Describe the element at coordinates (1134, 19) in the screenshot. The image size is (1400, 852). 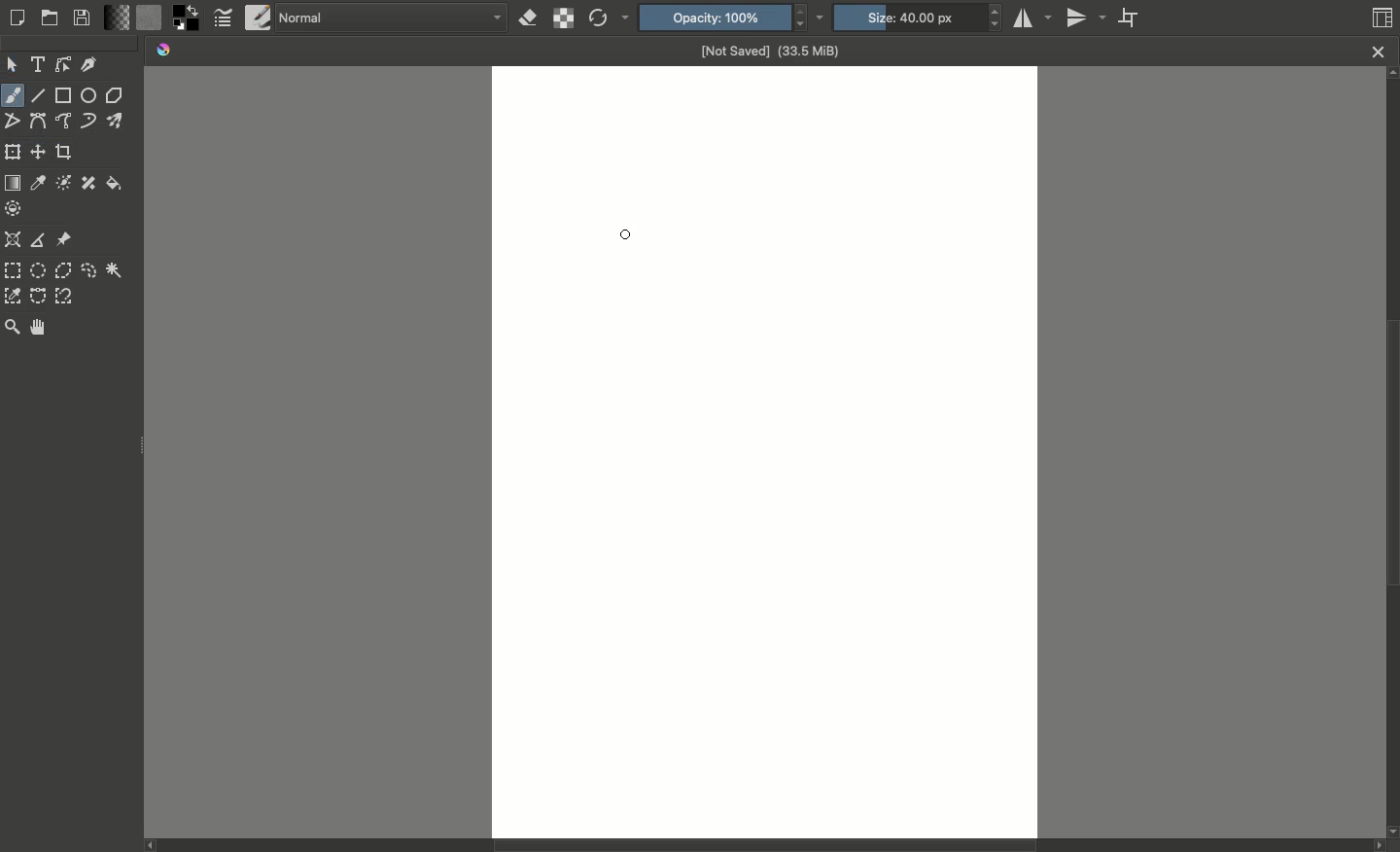
I see `Wrap around mode` at that location.